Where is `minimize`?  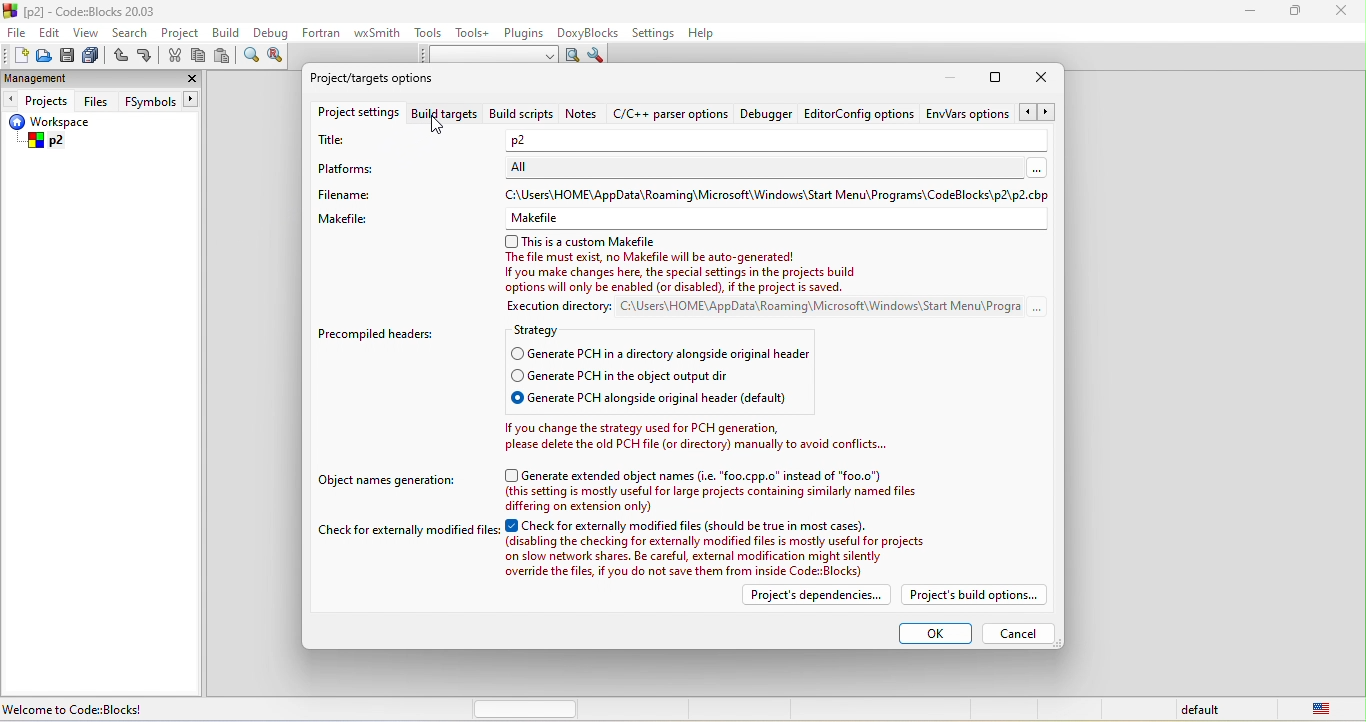 minimize is located at coordinates (955, 78).